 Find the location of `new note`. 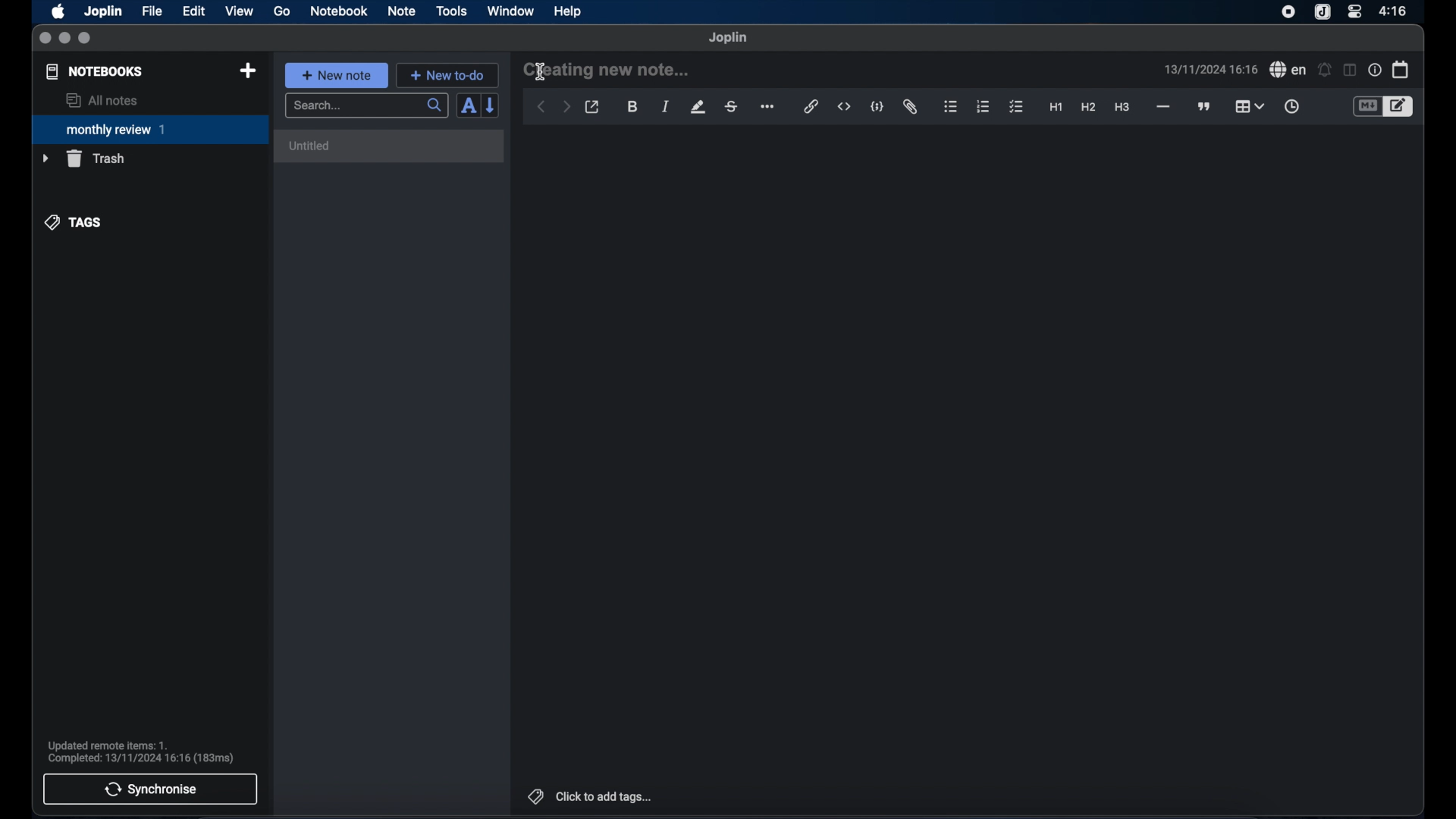

new note is located at coordinates (336, 75).